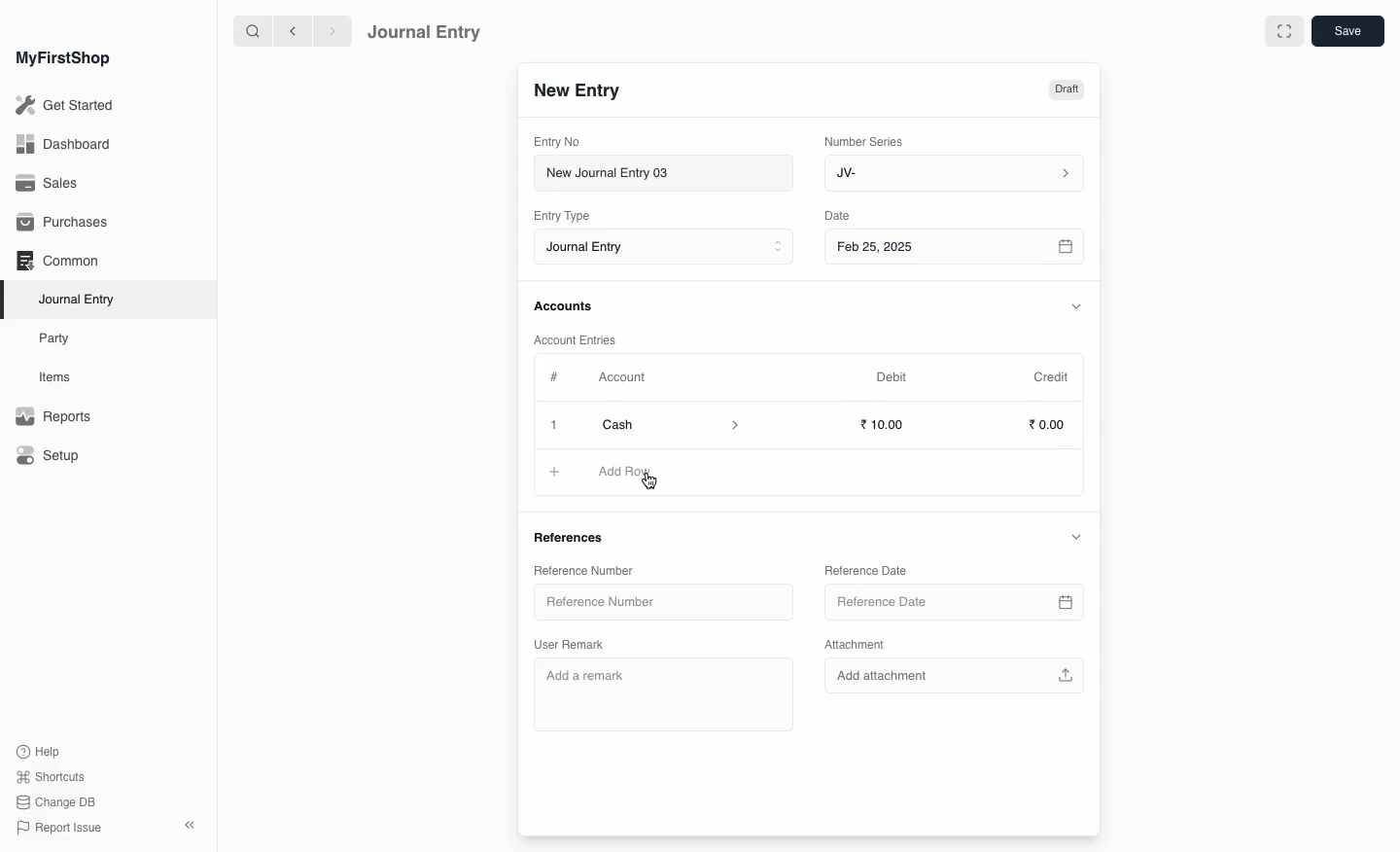 Image resolution: width=1400 pixels, height=852 pixels. What do you see at coordinates (585, 571) in the screenshot?
I see `Reference Number` at bounding box center [585, 571].